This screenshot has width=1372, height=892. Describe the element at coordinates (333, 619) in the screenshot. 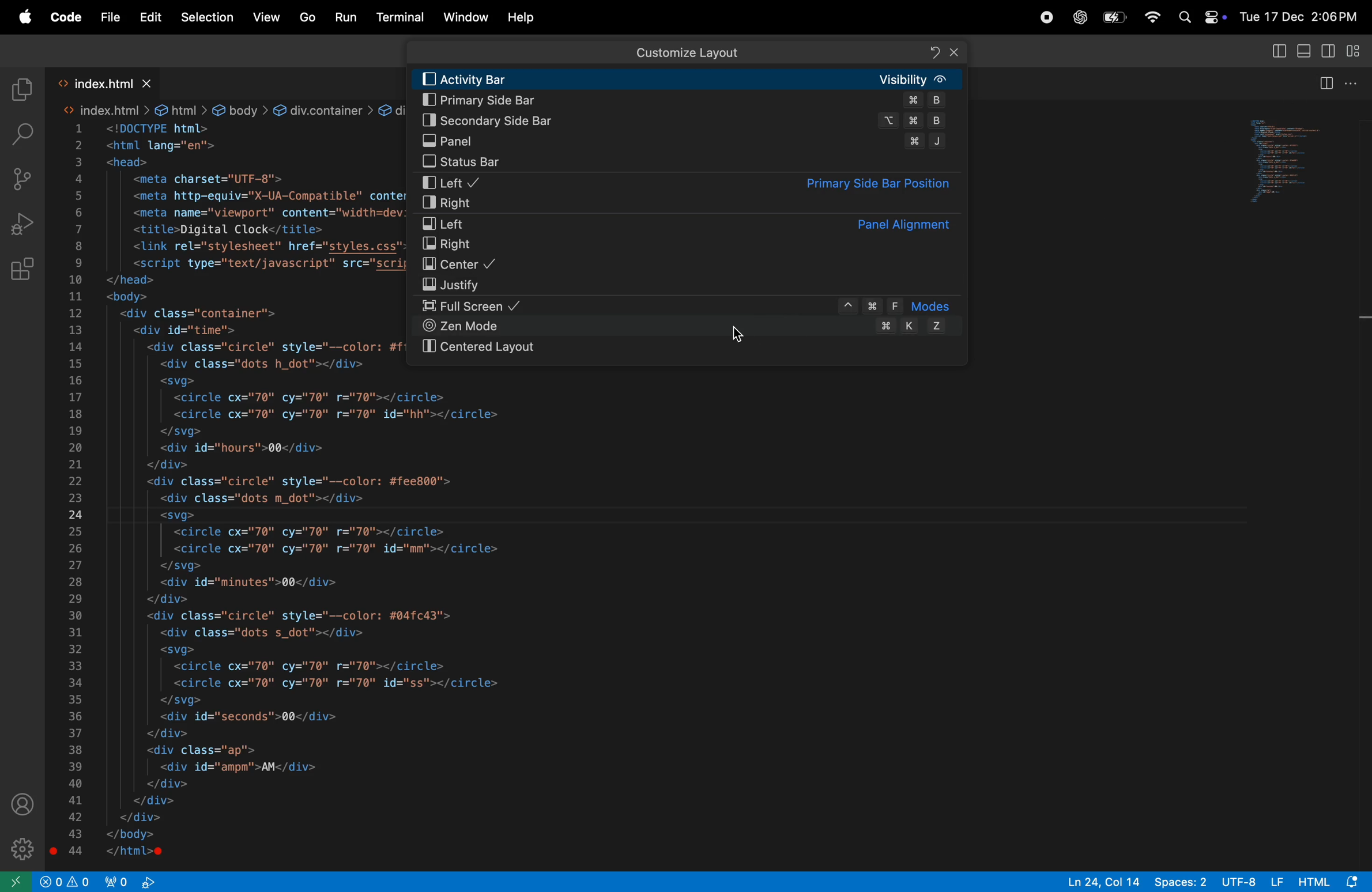

I see `<svg><circle cx="70" cy="70" r="70"></circle><circle cx="70" cy="70" r="70" id="hh"></circle></svg><div id="hours">00</div></div><div class="circle" style="--color: #fee800"><div class="dots m_dot"></div><svg><circle cx="70" cy="70" r="70"></circle><circle cx="70" cy="70" r="70" id="mm"></circle></svg><div id="minutes">00</div></div><div class="circle" style="--color: #04fc43"><div class="dots s_dot"></div><svg><circle cx="70" cy="70" r="70"></circle><circle cx="70" cy="70" r="70" id="ss"></circle></svg><div id="seconds">00</div></div><div class="ap"><div id="ampm">AM</div></div></div></div></body></html>` at that location.